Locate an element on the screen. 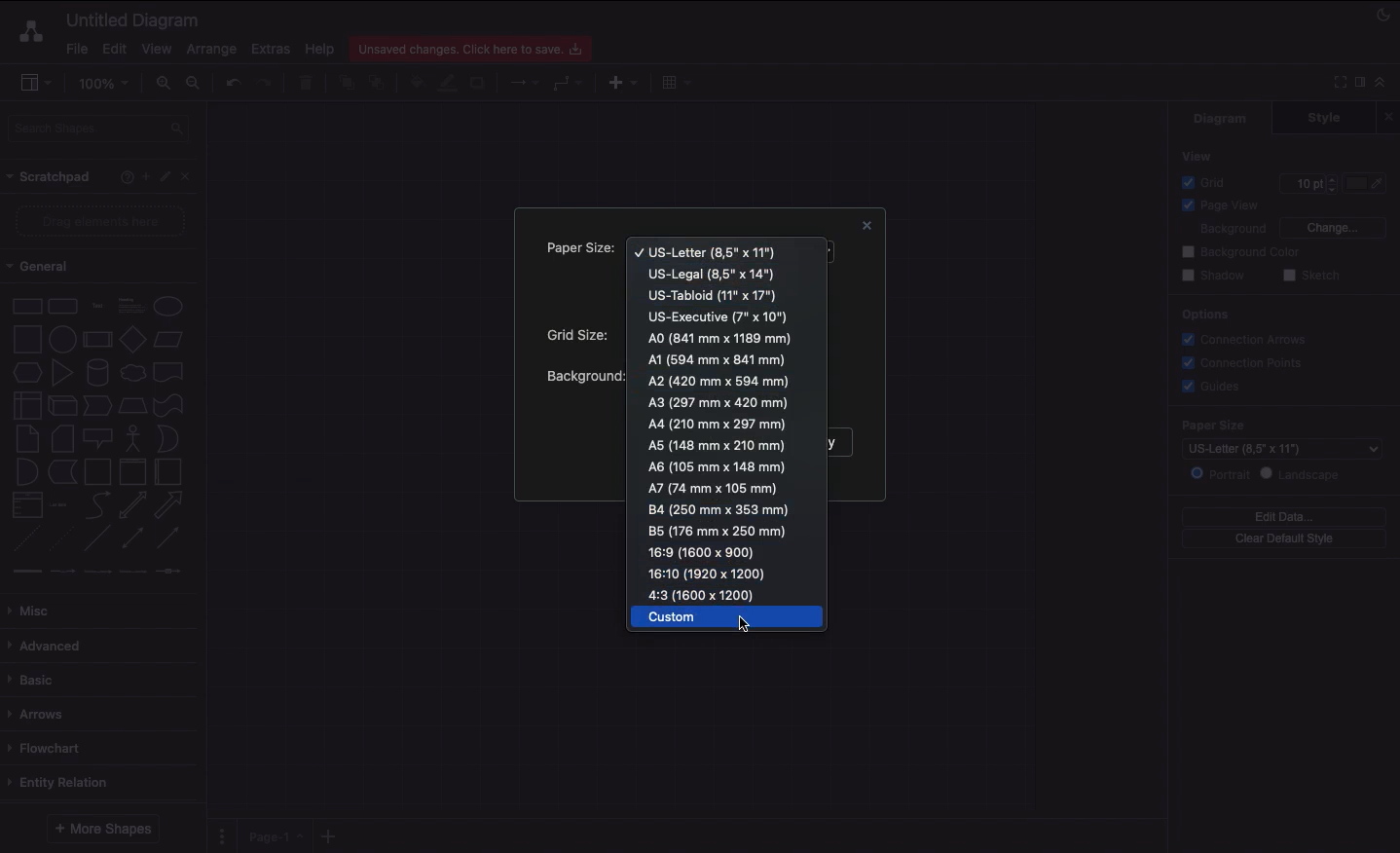 This screenshot has width=1400, height=853. Background  is located at coordinates (1221, 230).